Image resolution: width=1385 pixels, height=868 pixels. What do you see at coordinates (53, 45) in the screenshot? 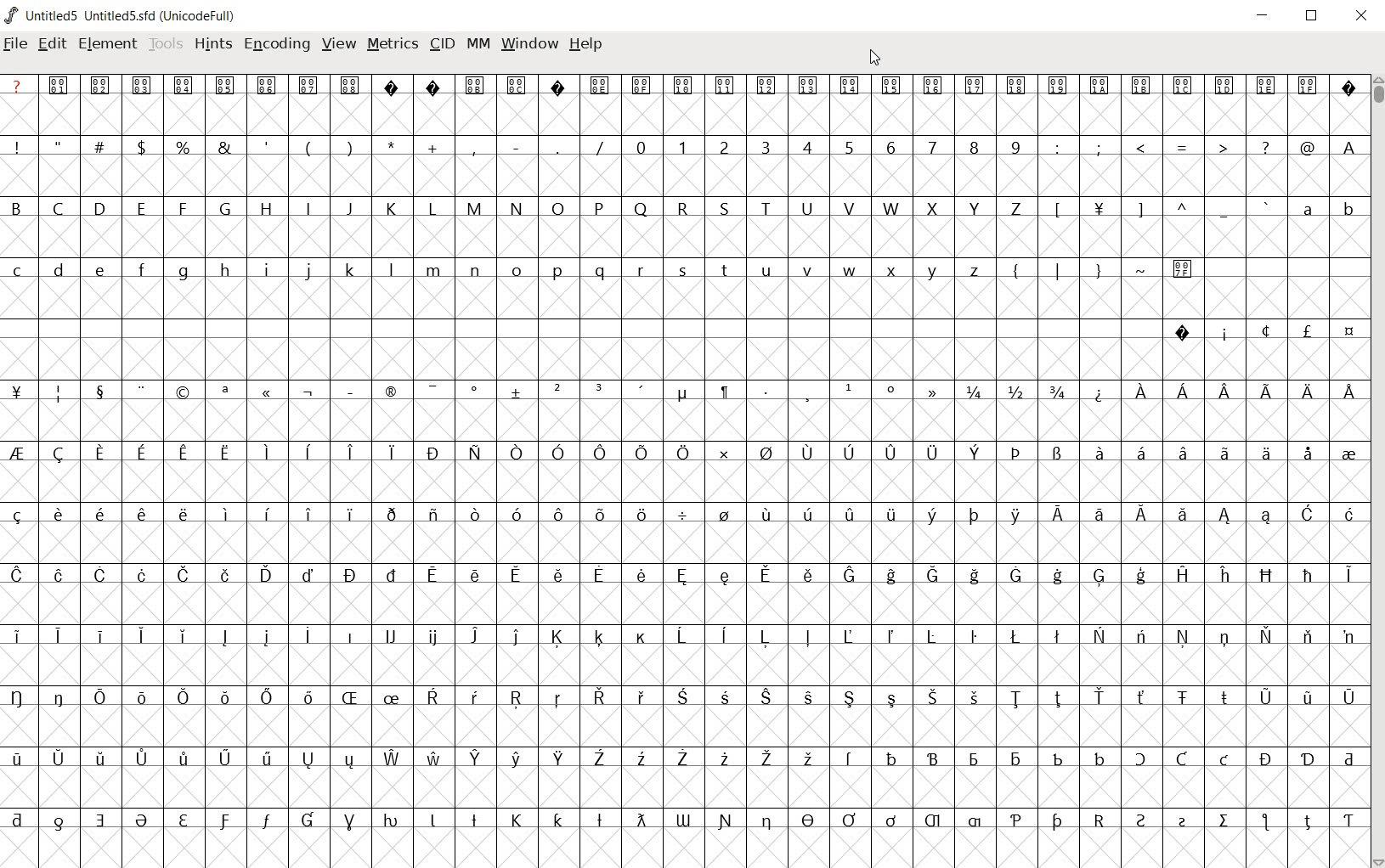
I see `edit` at bounding box center [53, 45].